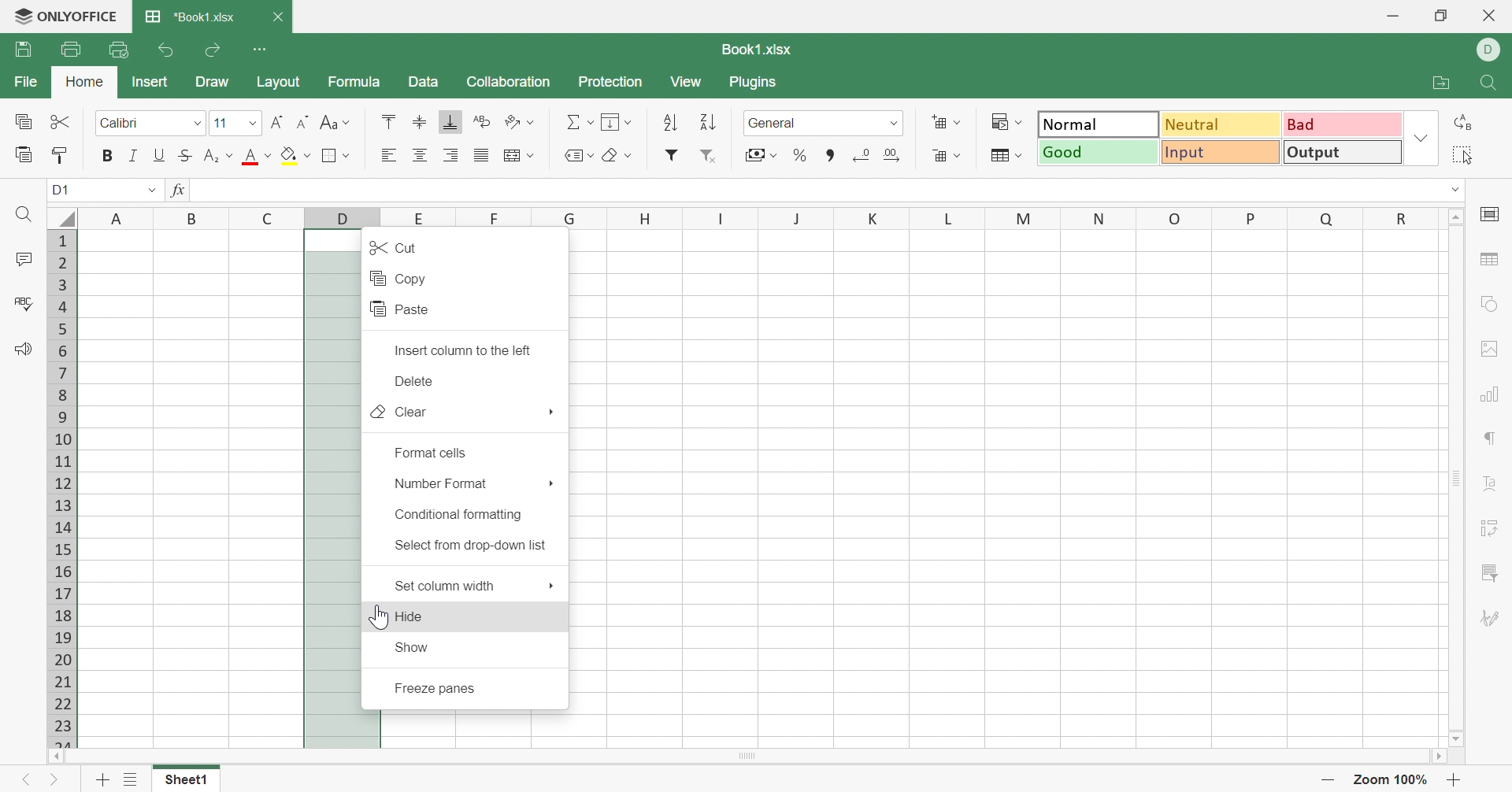 The height and width of the screenshot is (792, 1512). What do you see at coordinates (508, 154) in the screenshot?
I see `Merge and center` at bounding box center [508, 154].